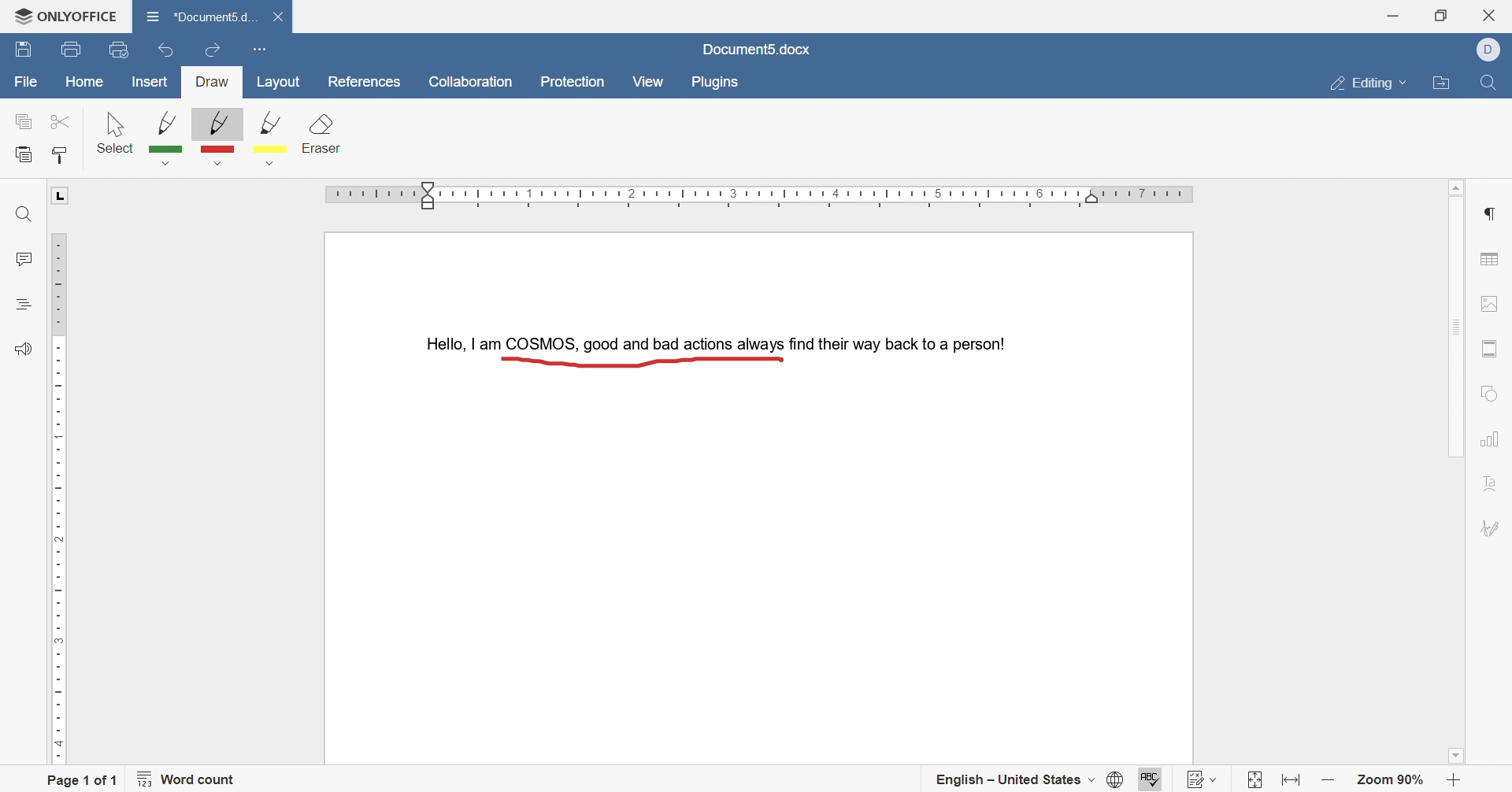 The height and width of the screenshot is (792, 1512). What do you see at coordinates (472, 83) in the screenshot?
I see `collaboration` at bounding box center [472, 83].